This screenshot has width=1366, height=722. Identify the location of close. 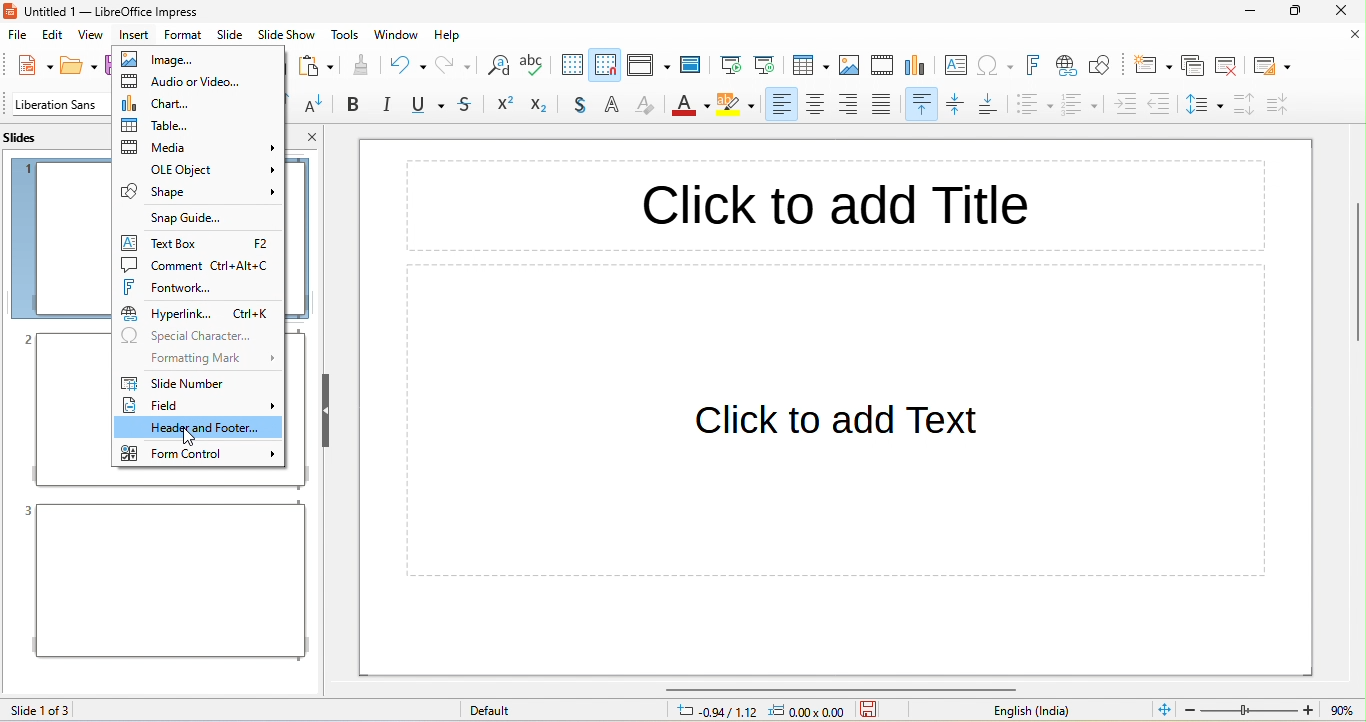
(1340, 12).